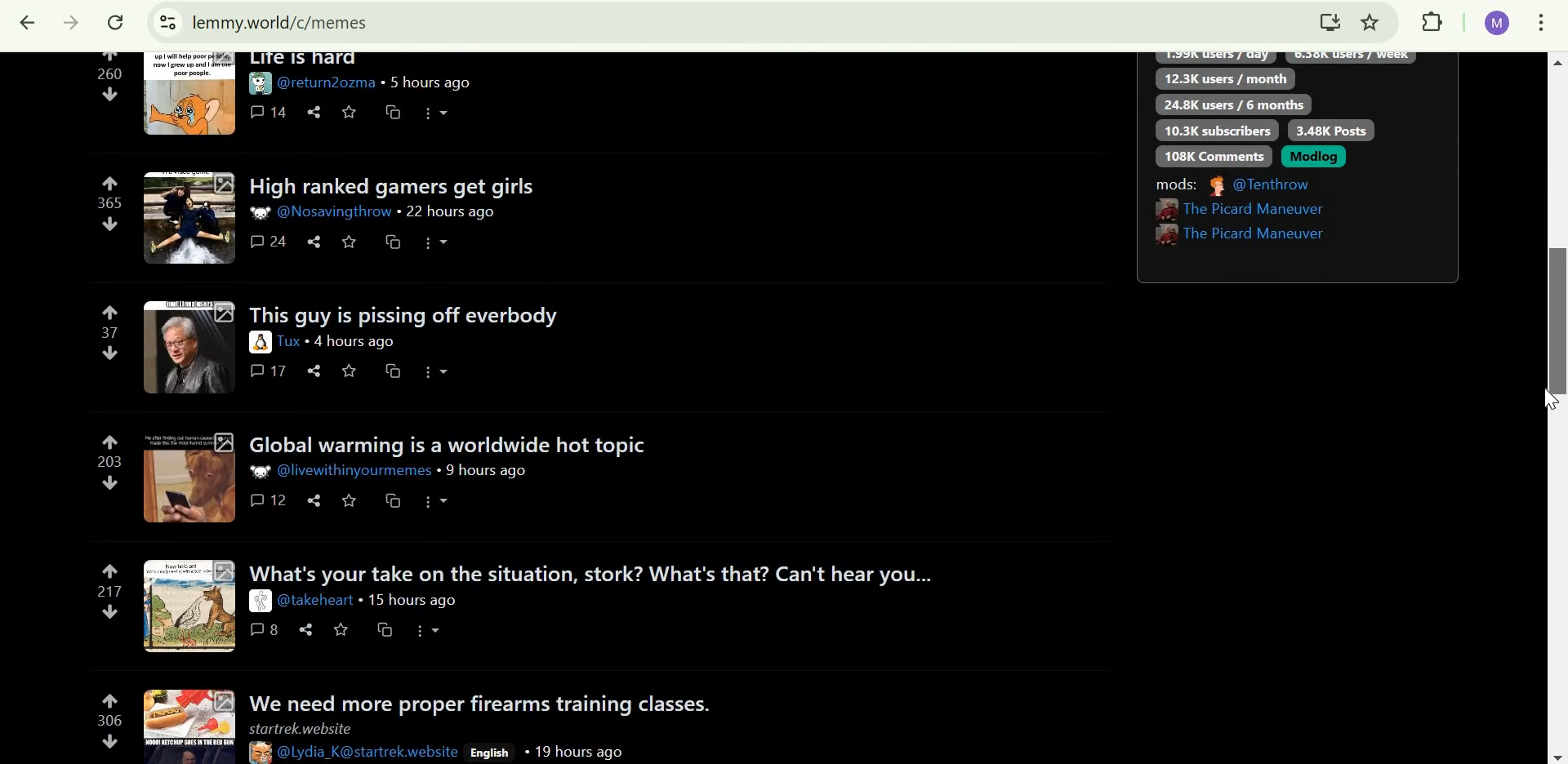 Image resolution: width=1568 pixels, height=764 pixels. What do you see at coordinates (315, 499) in the screenshot?
I see `share` at bounding box center [315, 499].